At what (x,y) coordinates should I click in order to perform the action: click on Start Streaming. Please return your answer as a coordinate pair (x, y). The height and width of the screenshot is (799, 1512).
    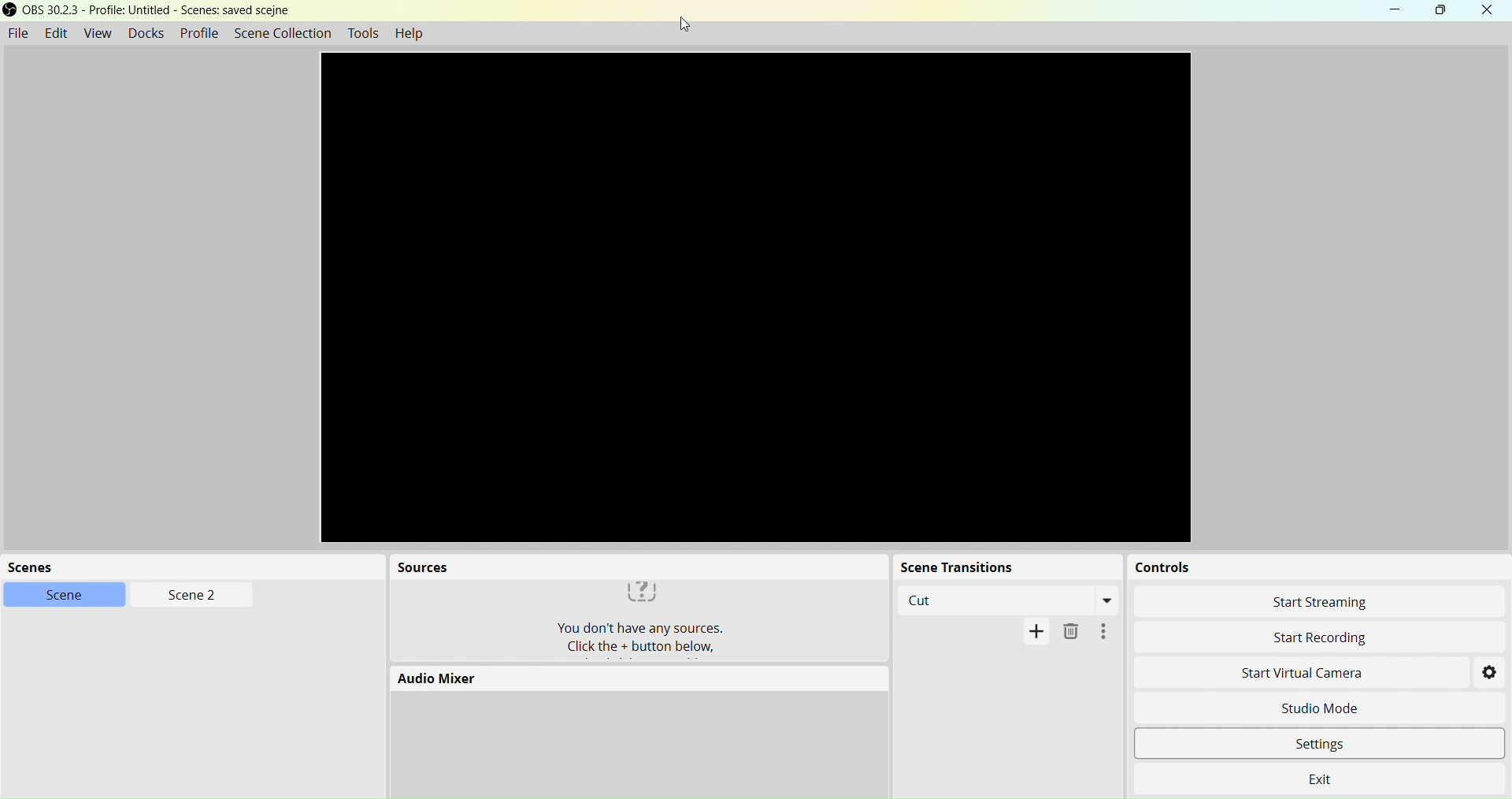
    Looking at the image, I should click on (1315, 604).